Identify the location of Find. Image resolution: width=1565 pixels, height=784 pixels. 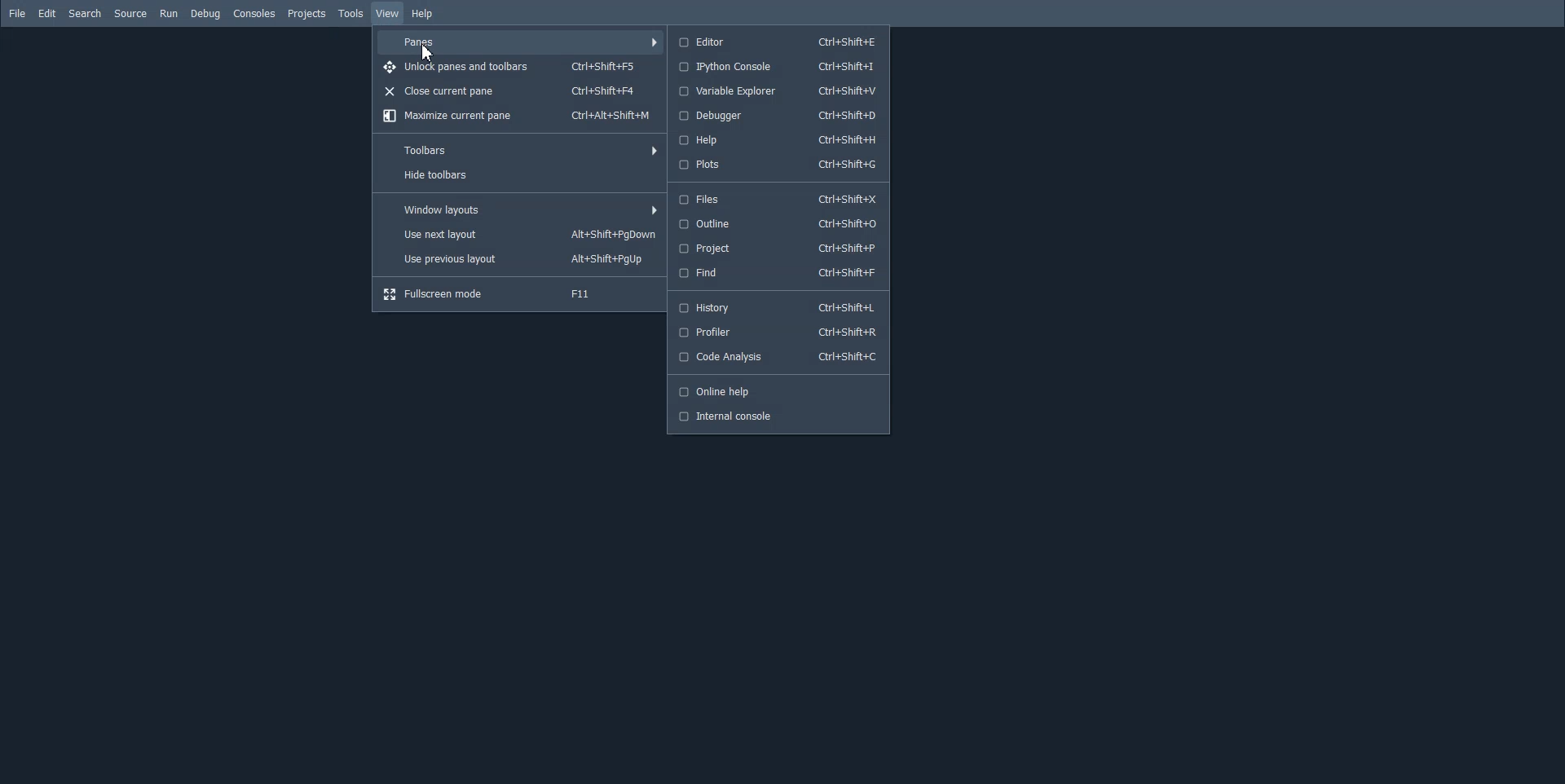
(776, 272).